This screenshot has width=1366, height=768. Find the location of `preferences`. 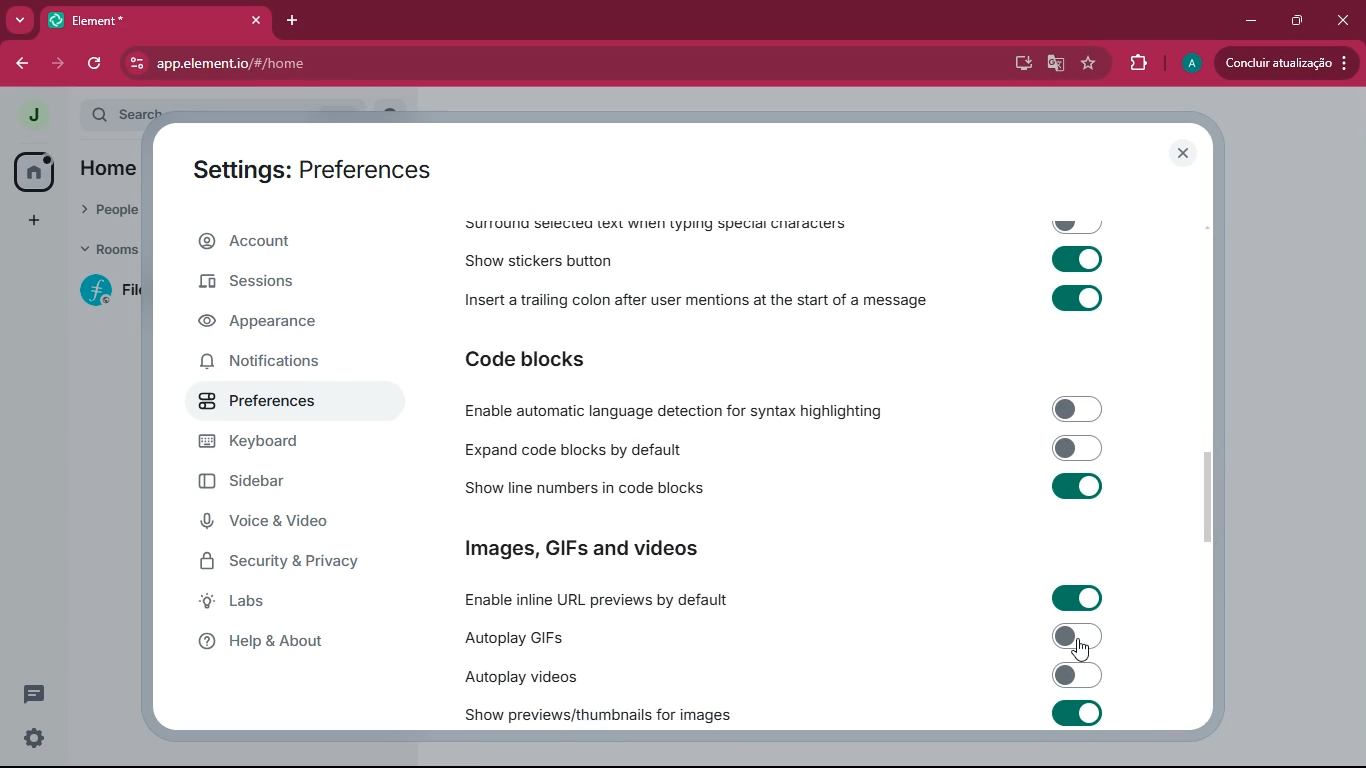

preferences is located at coordinates (277, 405).